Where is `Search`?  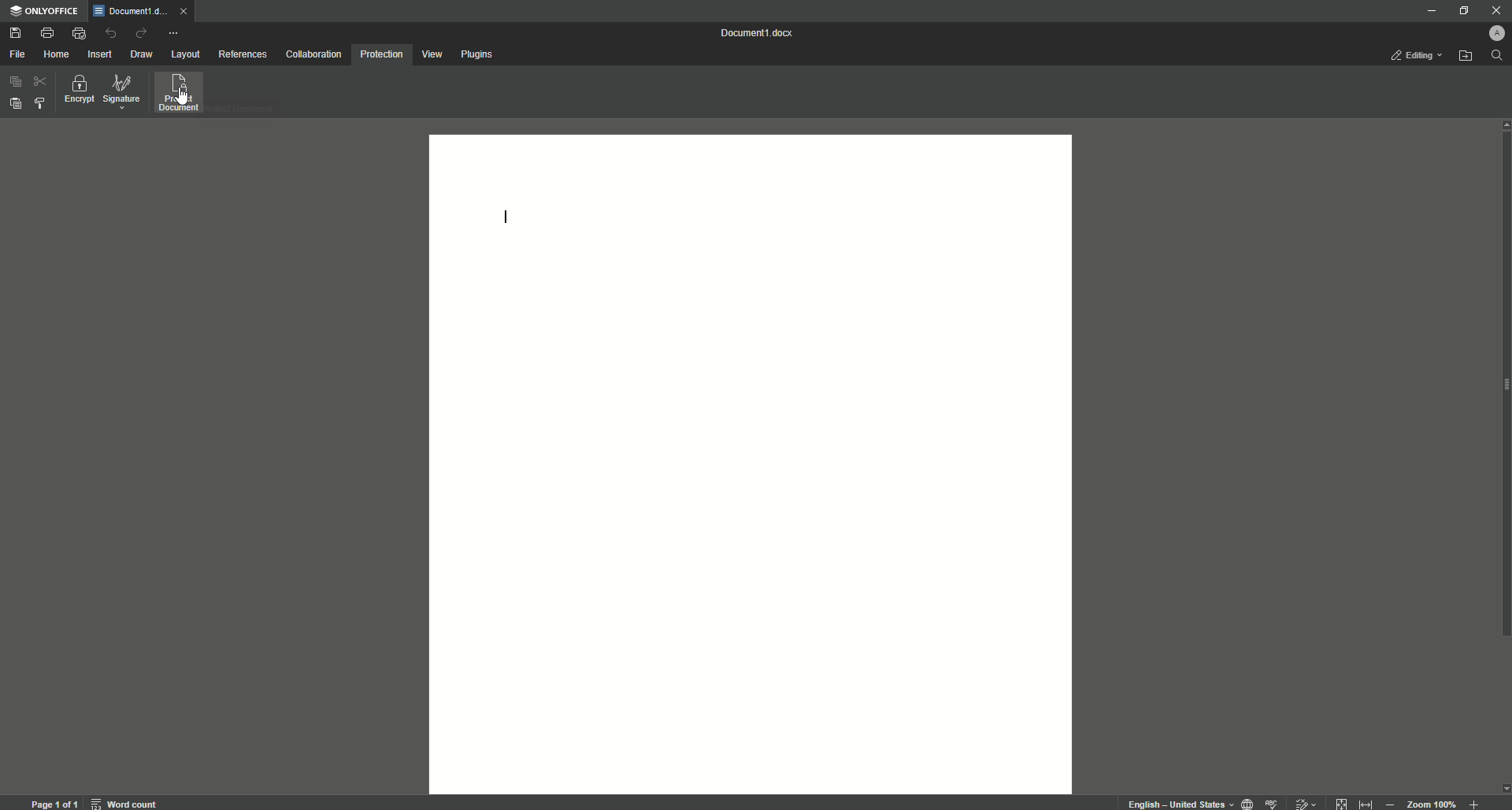 Search is located at coordinates (1499, 54).